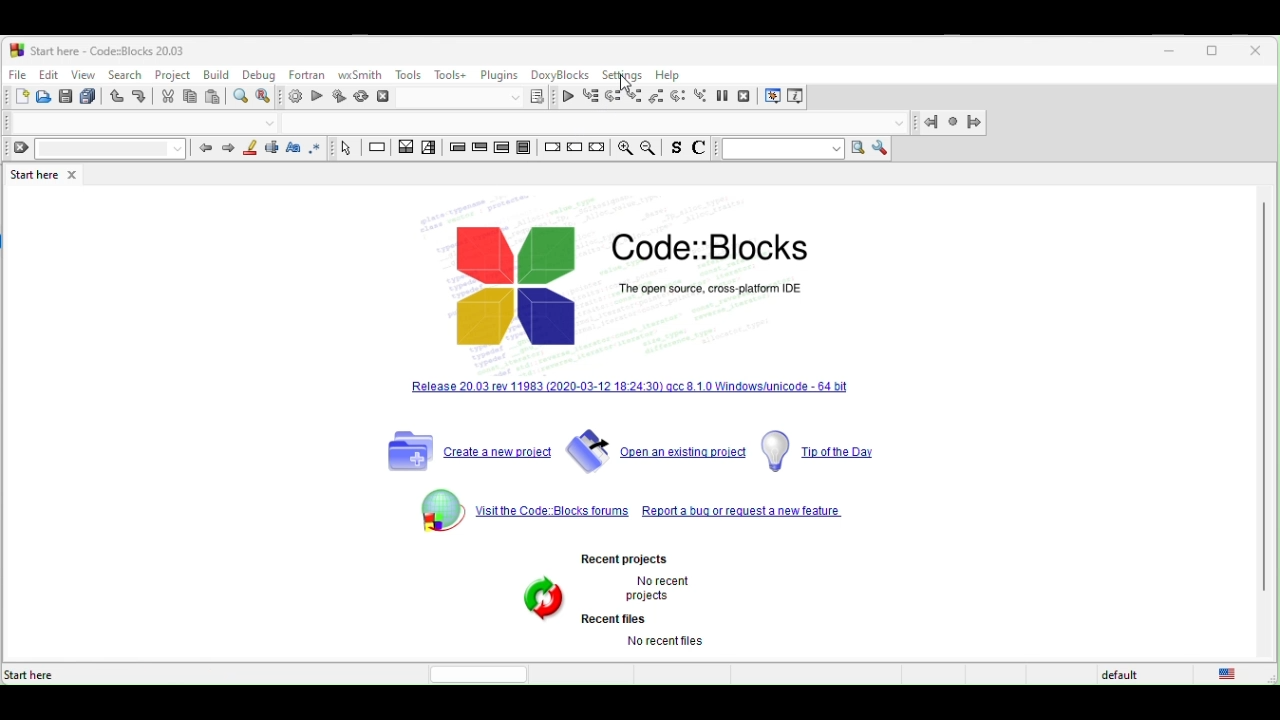 The width and height of the screenshot is (1280, 720). I want to click on step into instruction, so click(701, 97).